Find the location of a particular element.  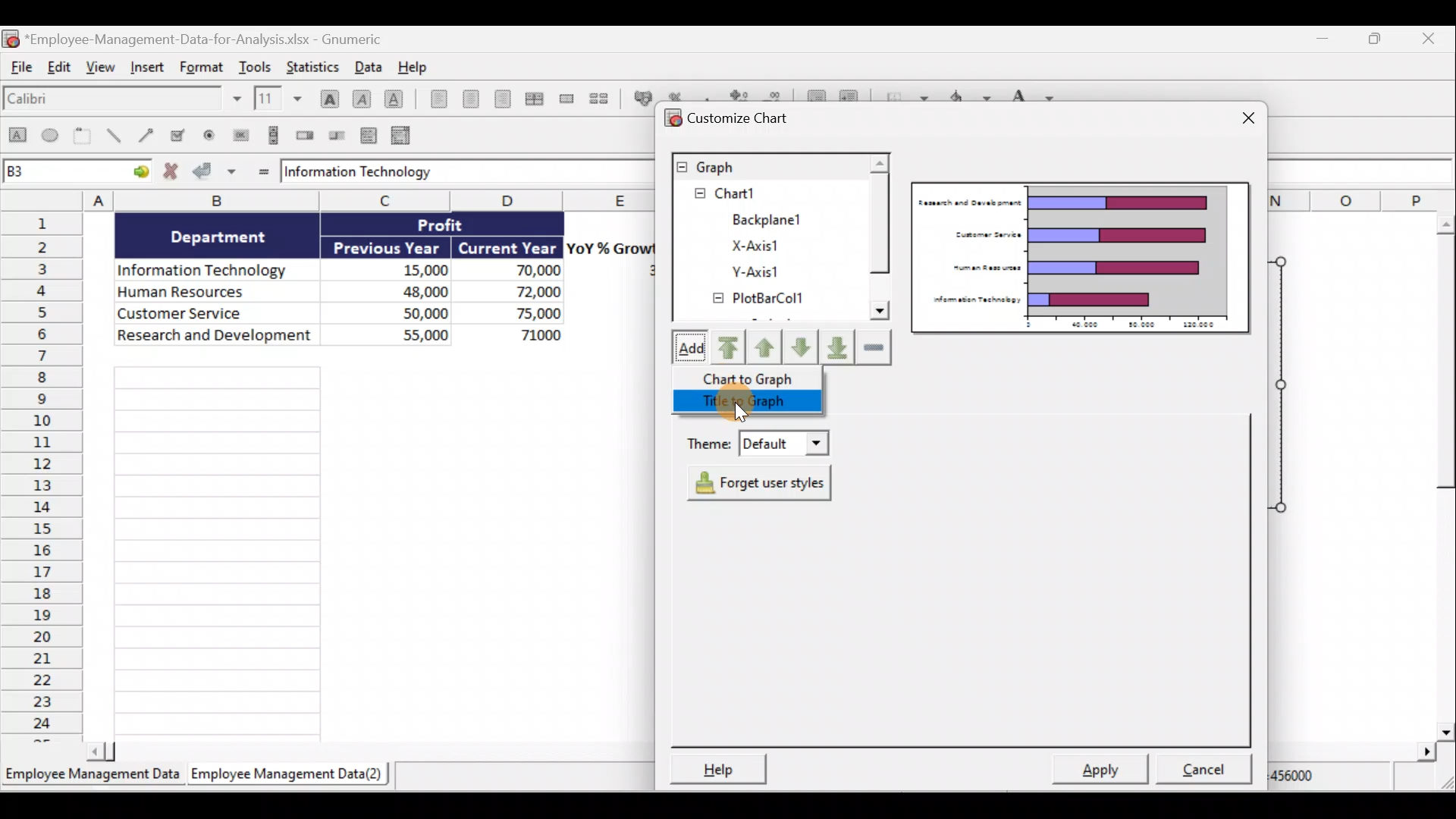

cursor is located at coordinates (743, 415).